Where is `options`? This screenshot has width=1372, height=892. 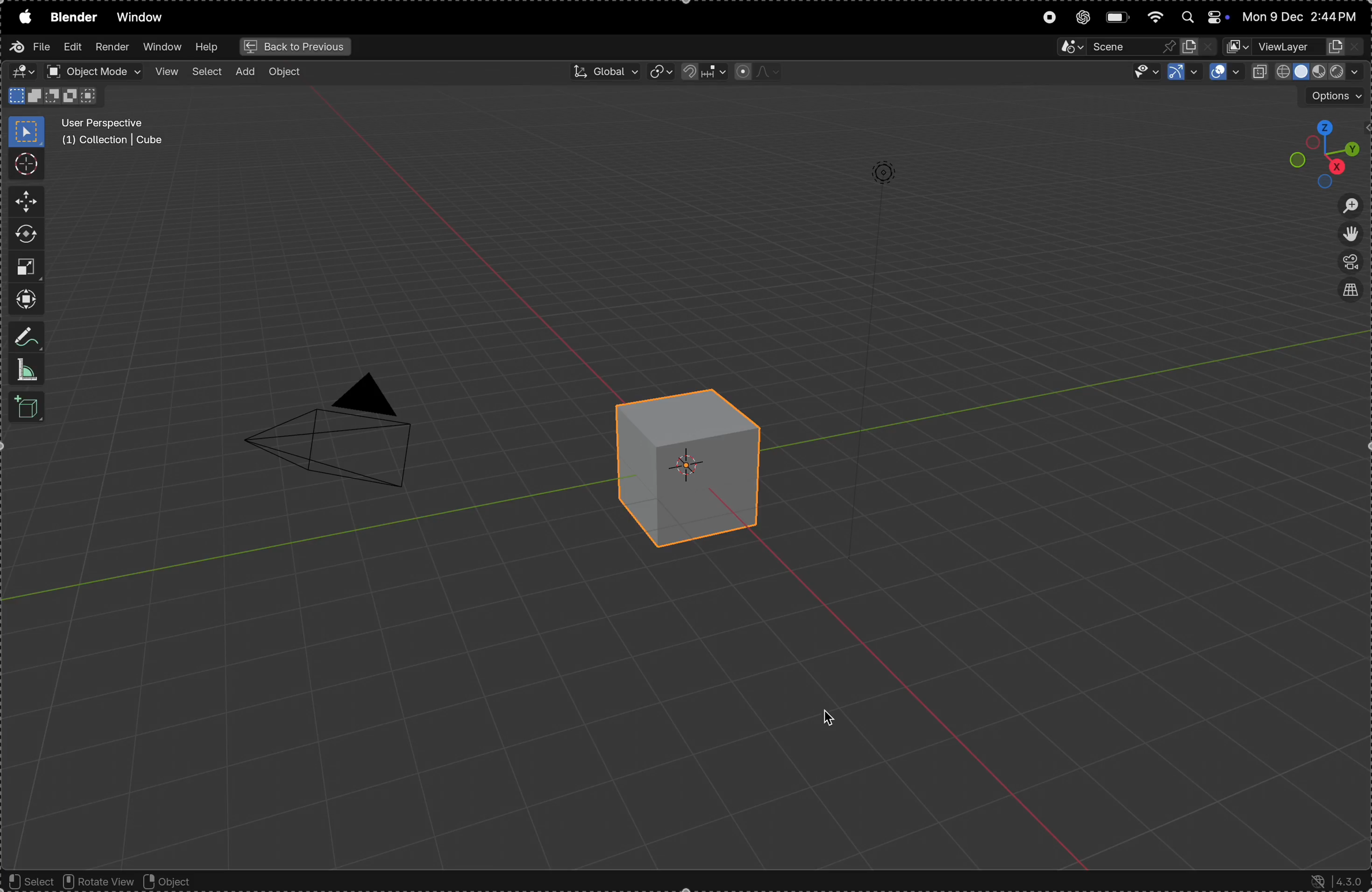
options is located at coordinates (1331, 96).